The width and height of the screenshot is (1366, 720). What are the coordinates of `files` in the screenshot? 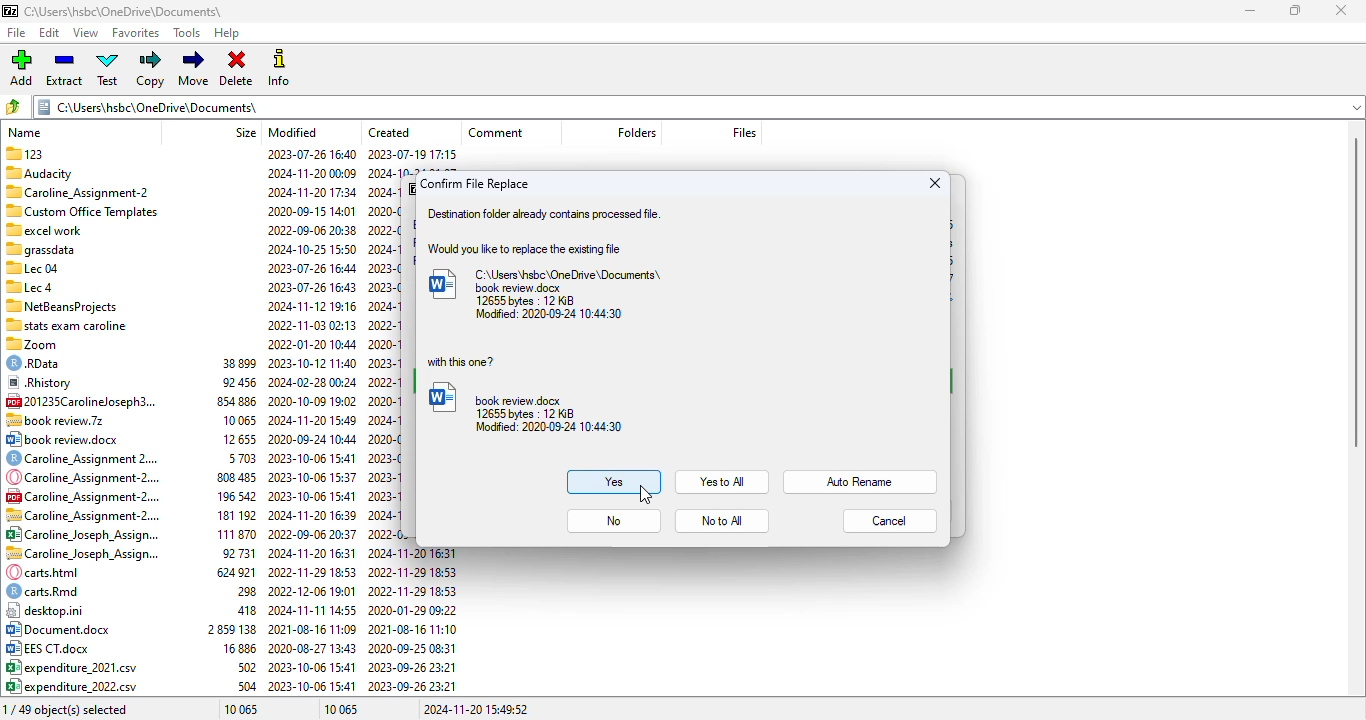 It's located at (744, 133).